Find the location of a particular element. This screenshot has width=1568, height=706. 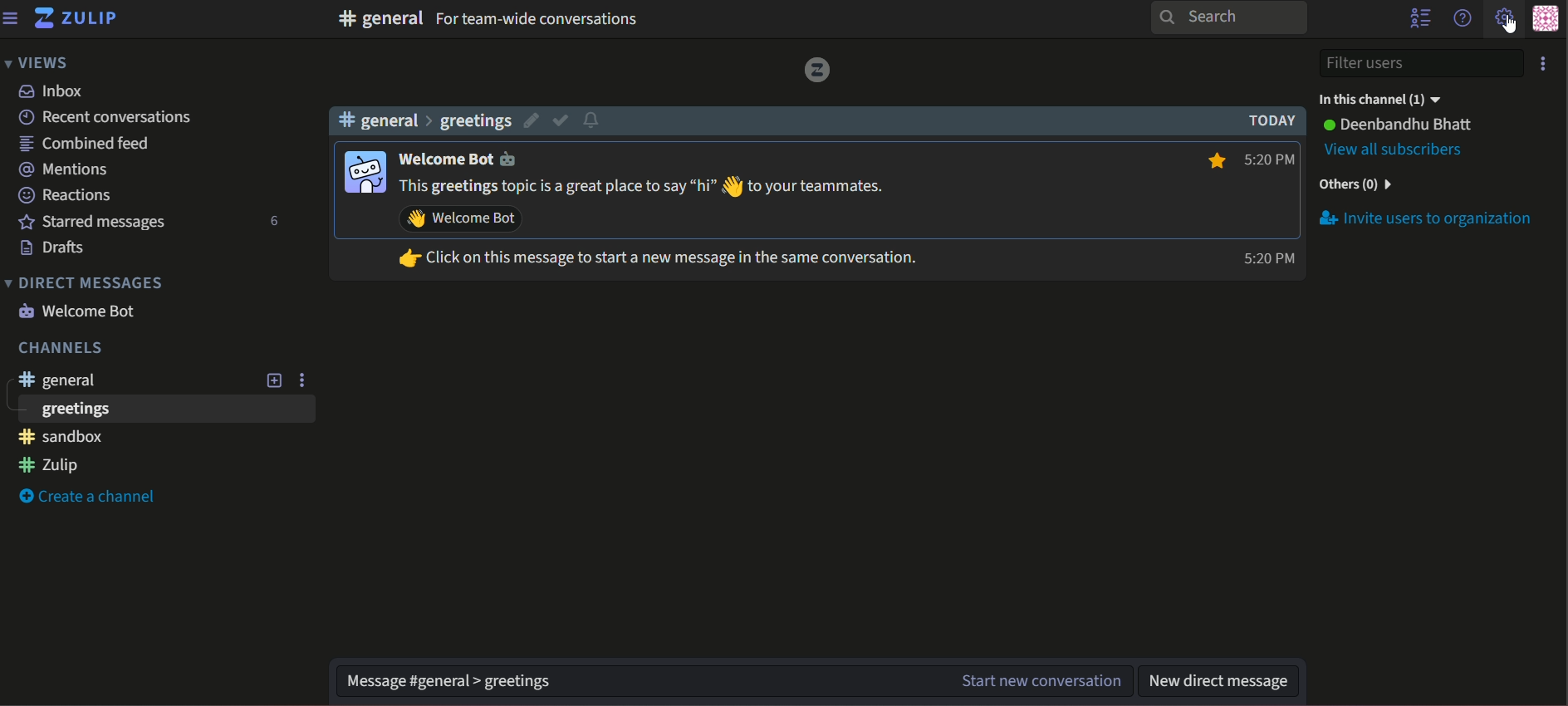

name is located at coordinates (1400, 125).